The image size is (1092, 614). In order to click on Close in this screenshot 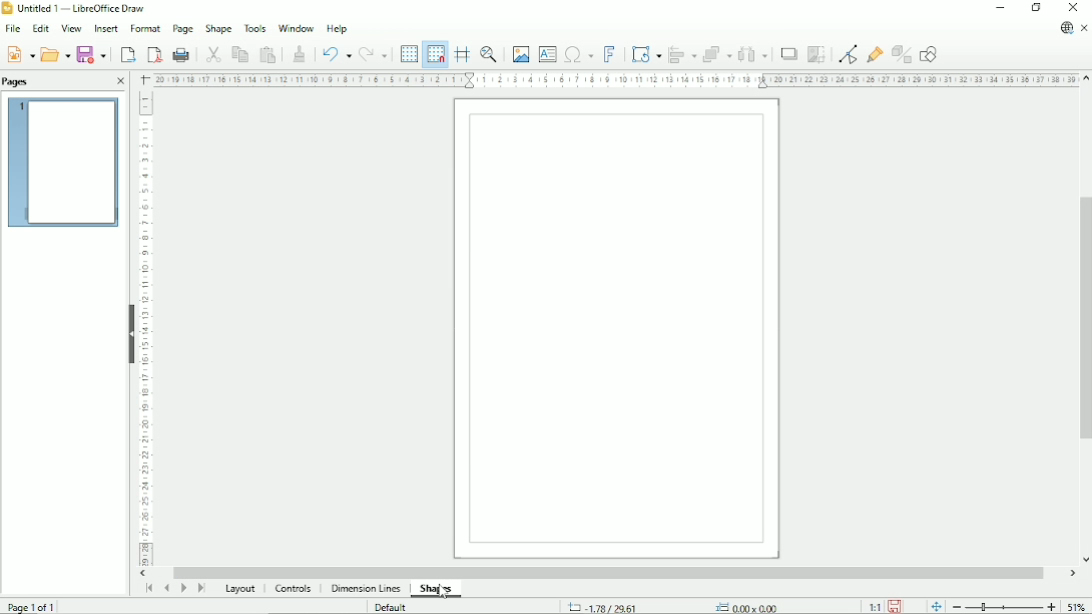, I will do `click(1073, 9)`.